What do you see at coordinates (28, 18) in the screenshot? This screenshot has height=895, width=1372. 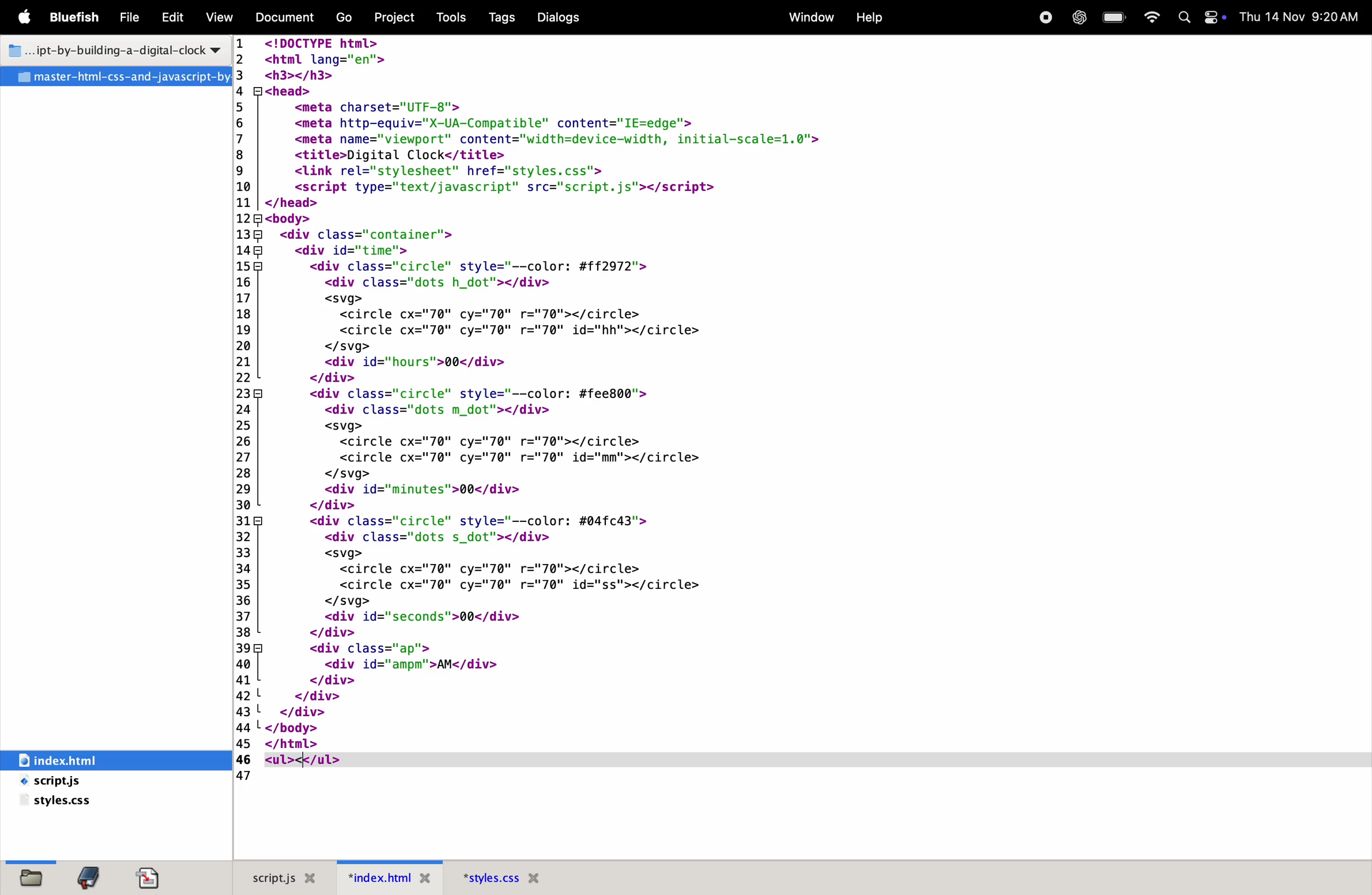 I see `apple menu` at bounding box center [28, 18].